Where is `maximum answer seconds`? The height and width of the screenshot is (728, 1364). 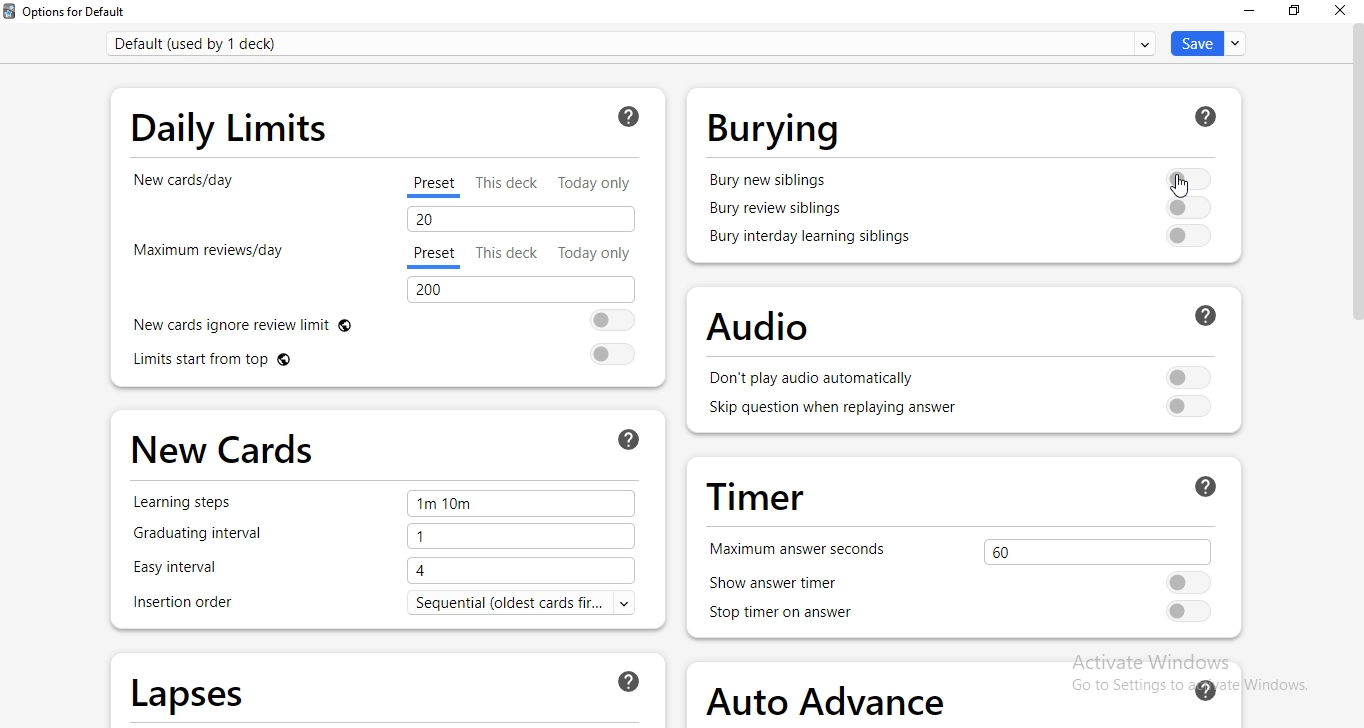
maximum answer seconds is located at coordinates (797, 549).